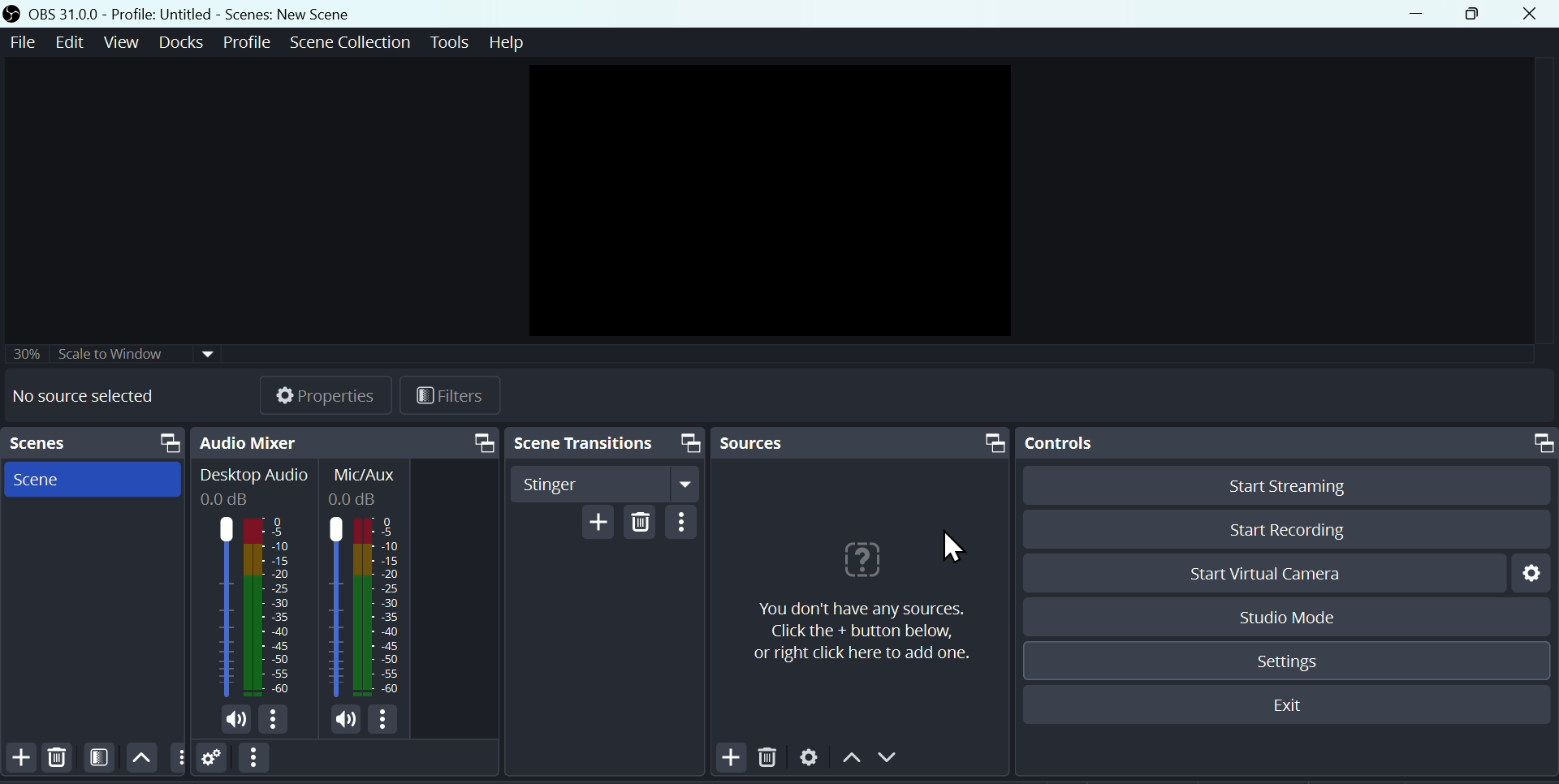 This screenshot has width=1559, height=784. I want to click on maximize, so click(162, 442).